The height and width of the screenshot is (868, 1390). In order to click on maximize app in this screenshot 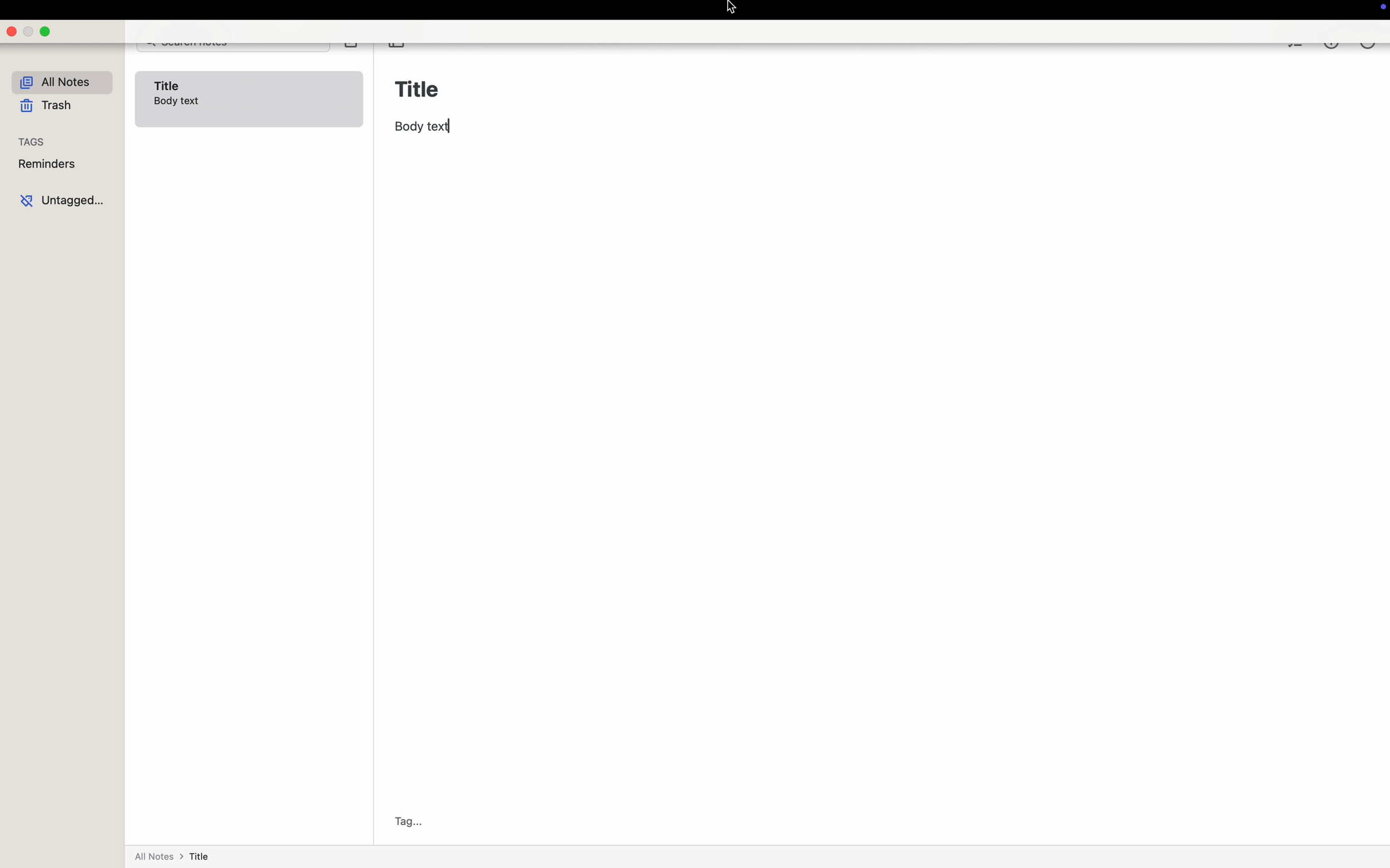, I will do `click(46, 32)`.